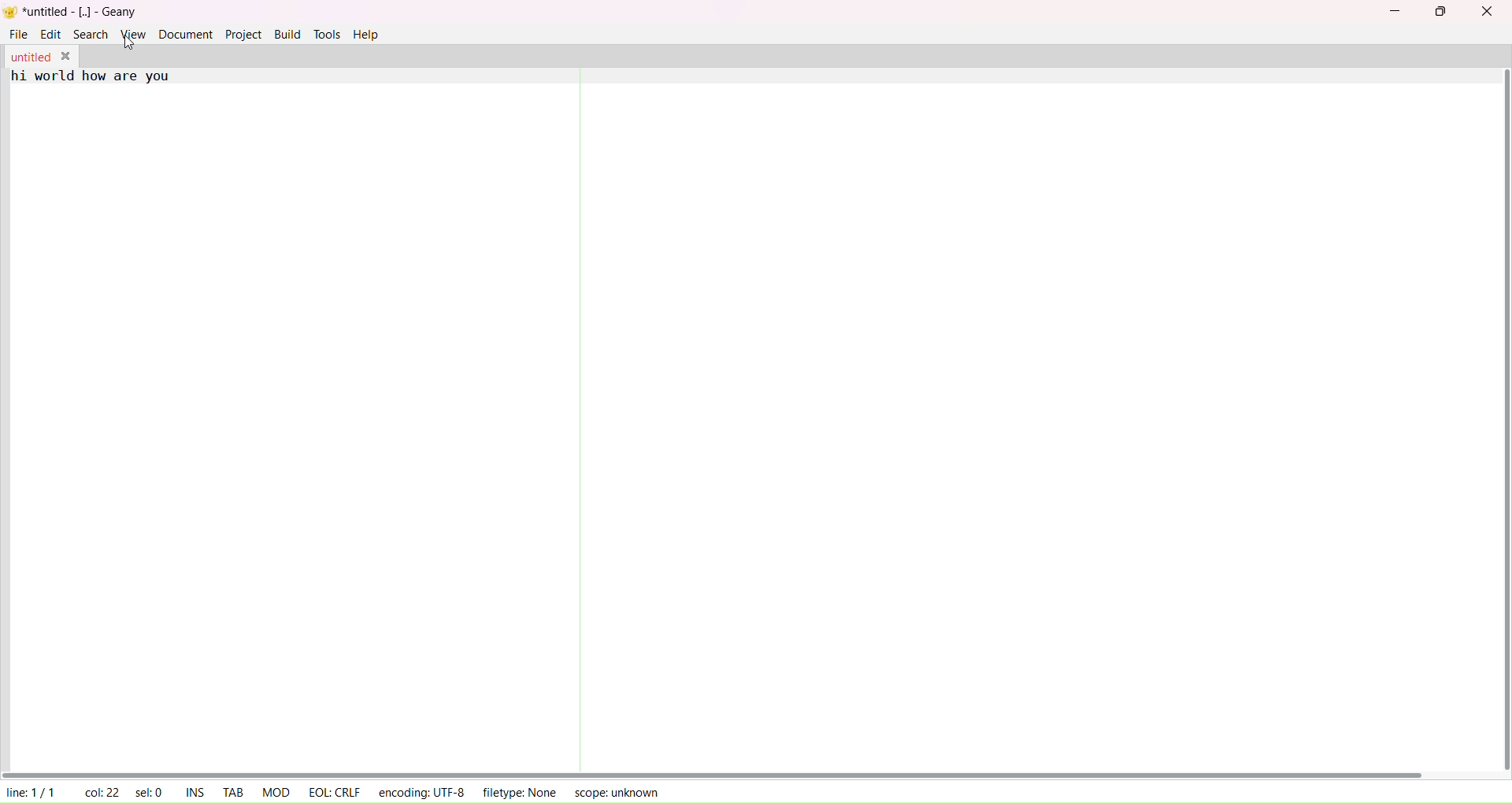 This screenshot has height=803, width=1512. What do you see at coordinates (196, 790) in the screenshot?
I see `ins` at bounding box center [196, 790].